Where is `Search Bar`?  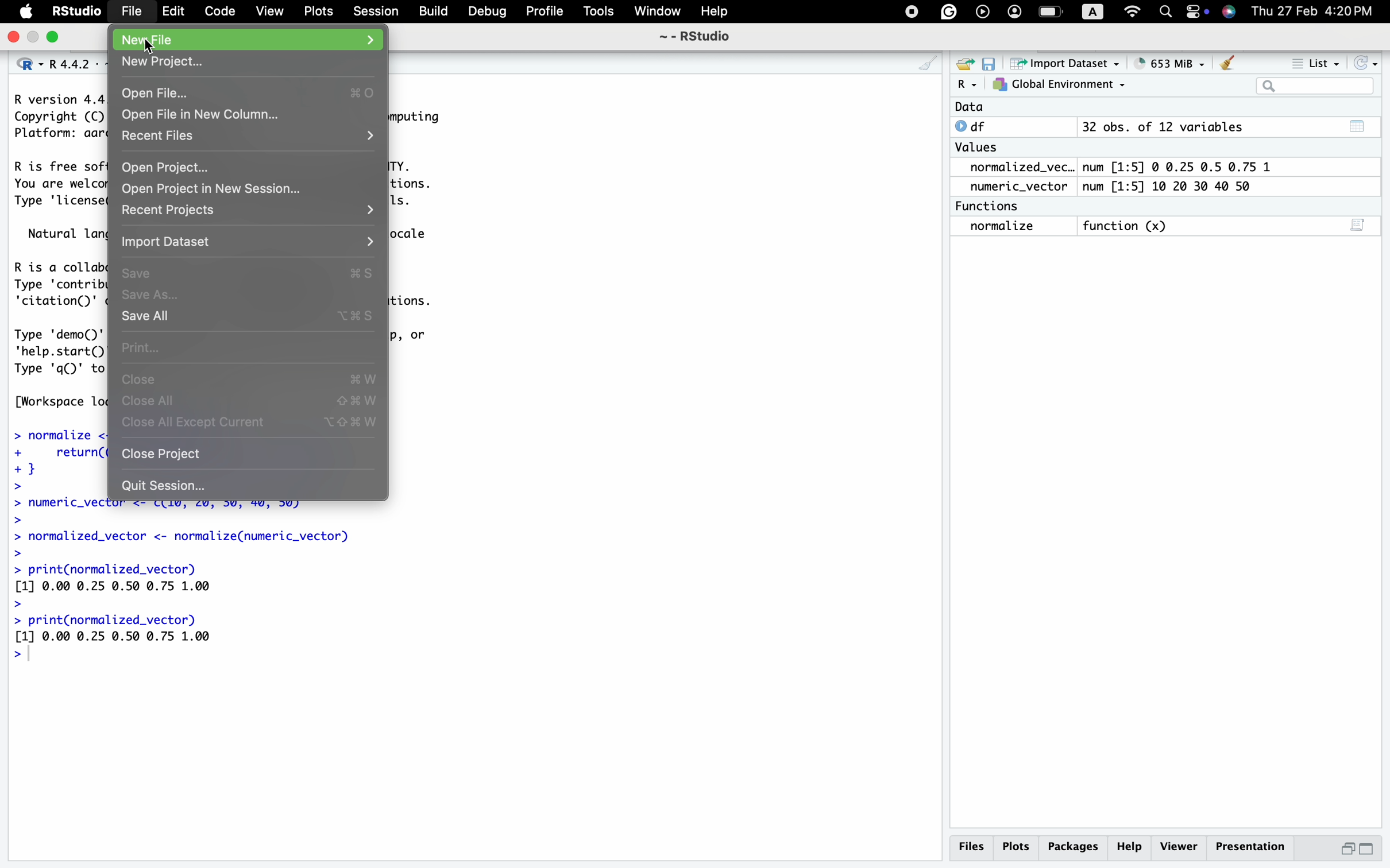 Search Bar is located at coordinates (1314, 87).